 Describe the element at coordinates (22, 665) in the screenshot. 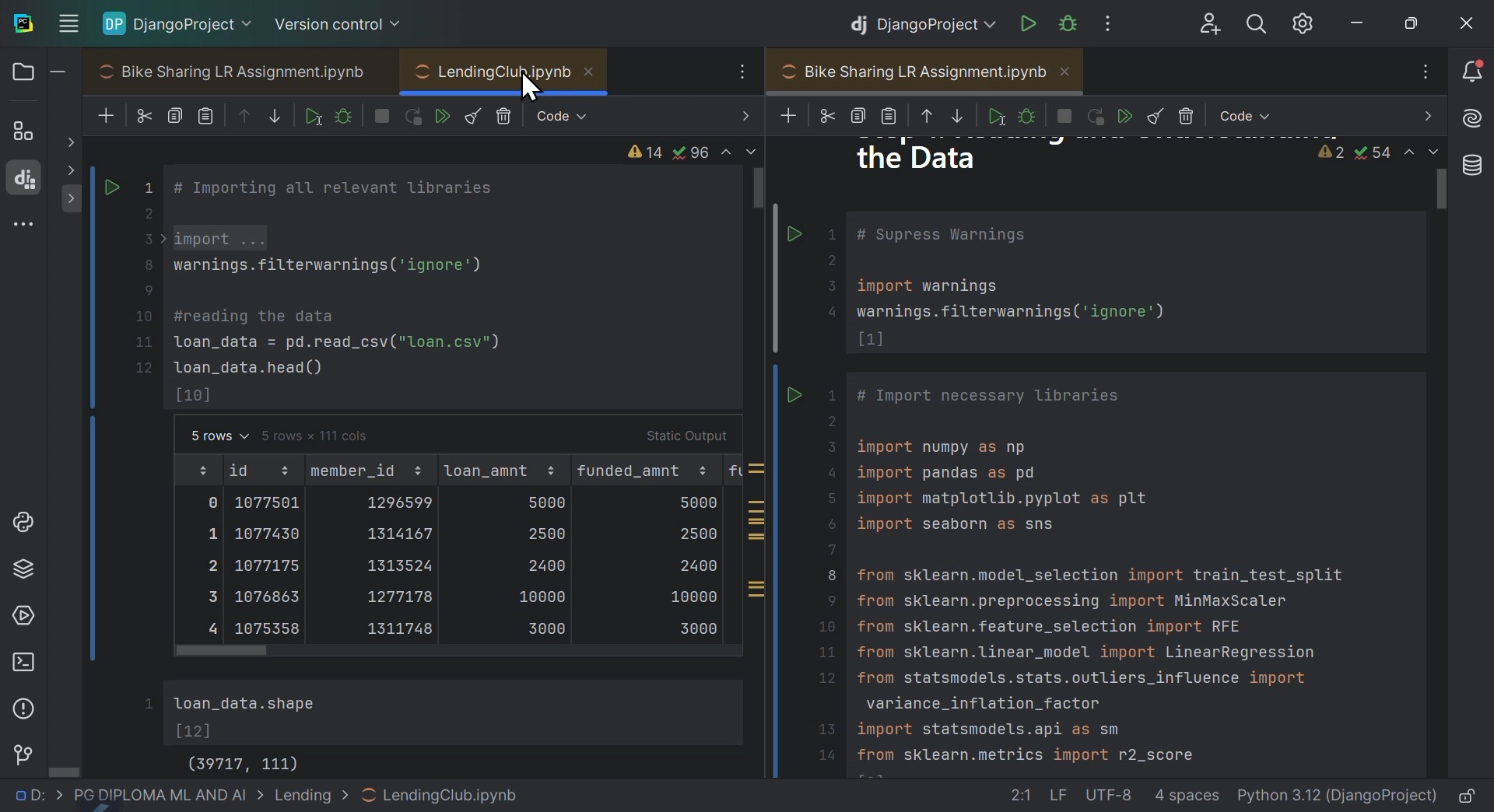

I see `Terminal` at that location.